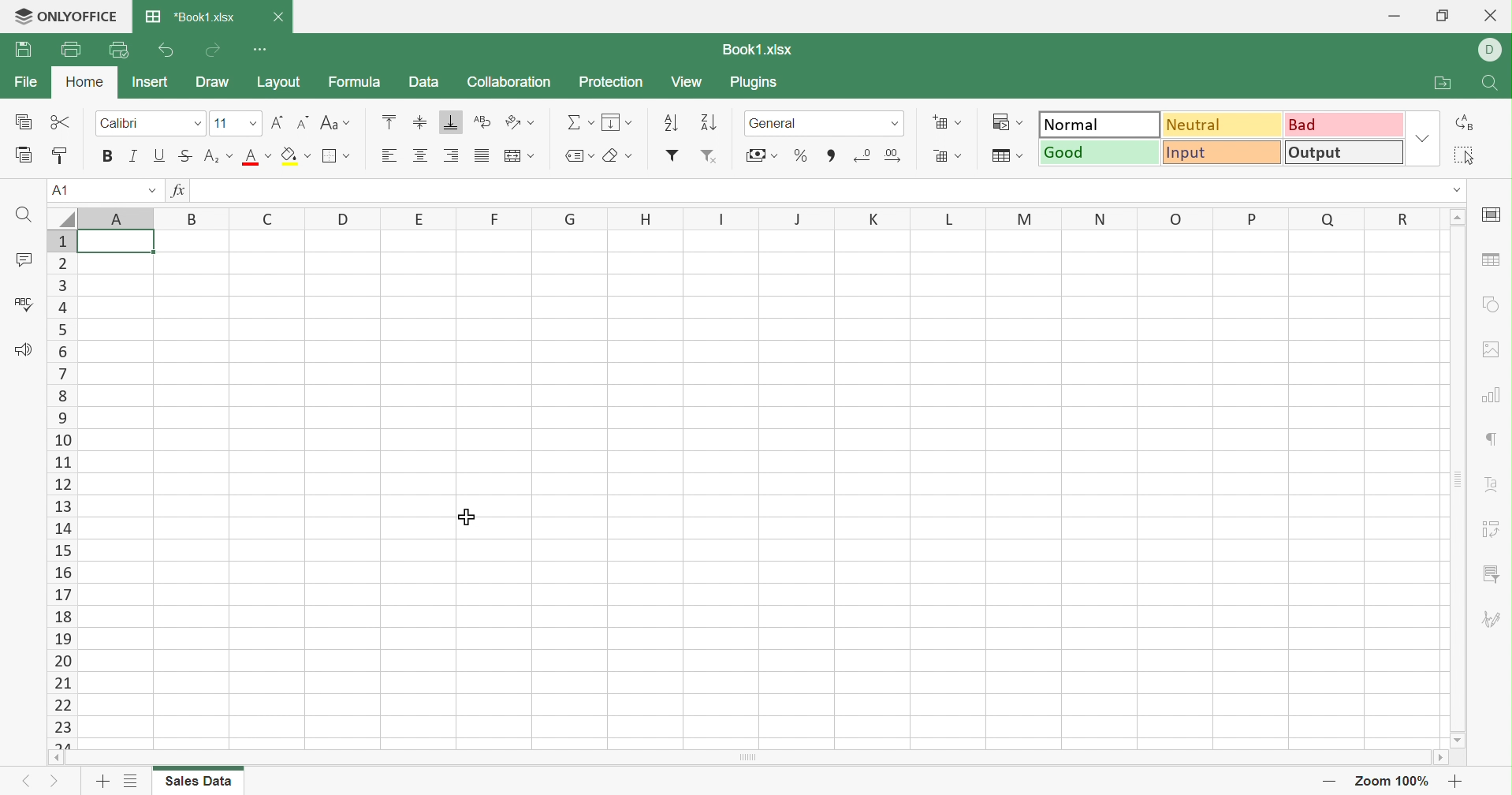  Describe the element at coordinates (132, 121) in the screenshot. I see `Calibri` at that location.